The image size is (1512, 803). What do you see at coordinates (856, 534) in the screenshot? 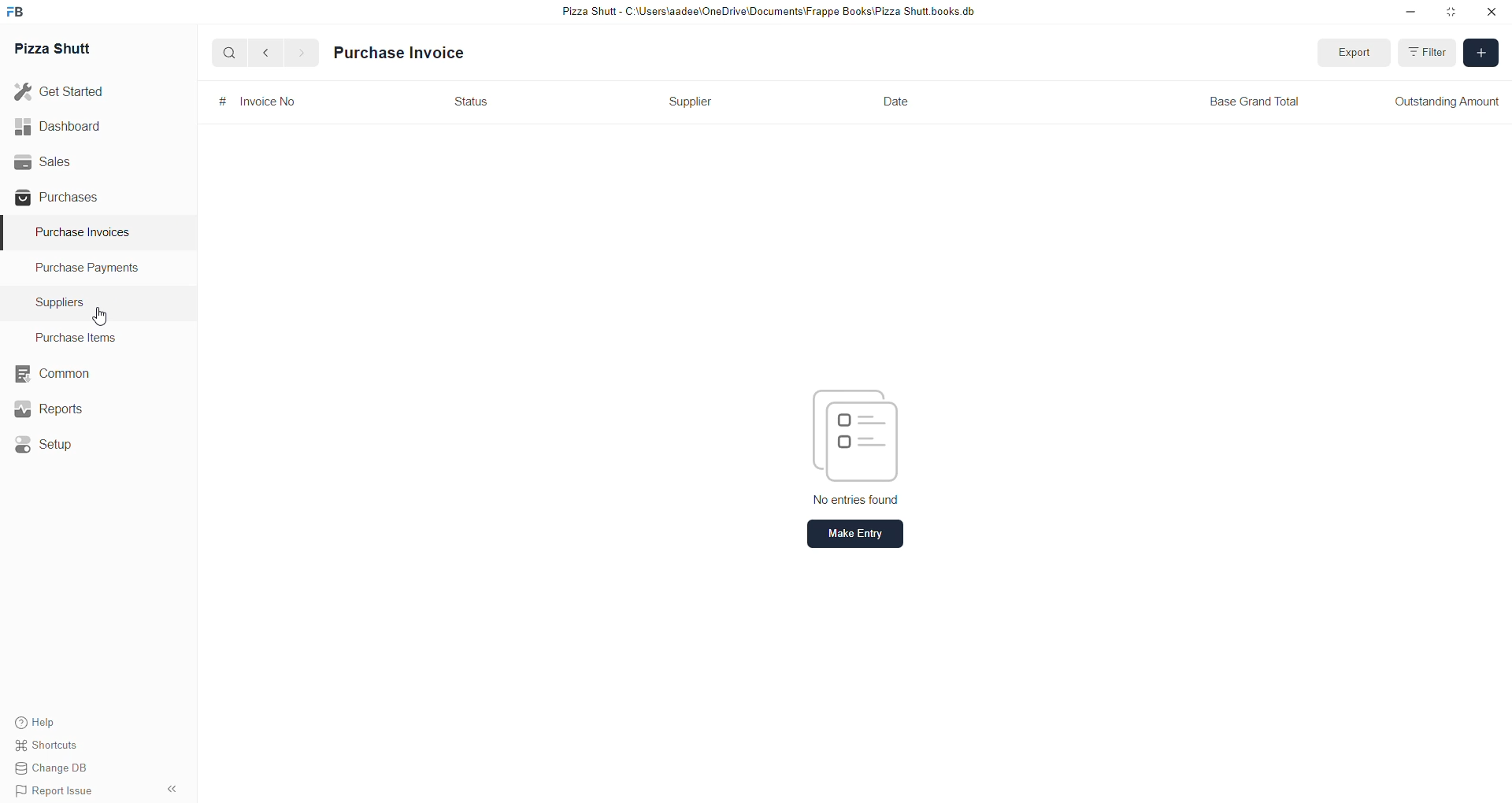
I see ` Make Entry` at bounding box center [856, 534].